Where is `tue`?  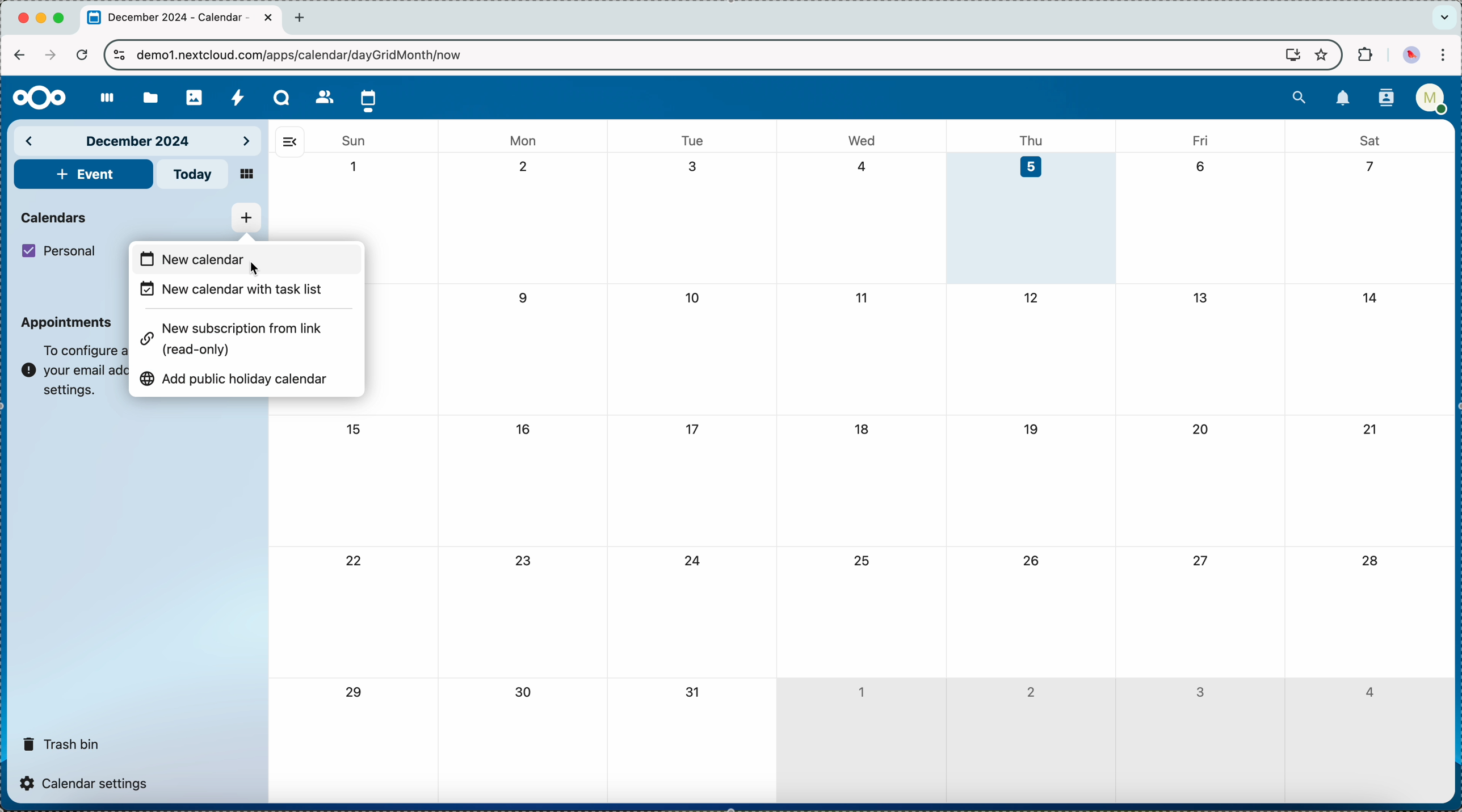
tue is located at coordinates (692, 140).